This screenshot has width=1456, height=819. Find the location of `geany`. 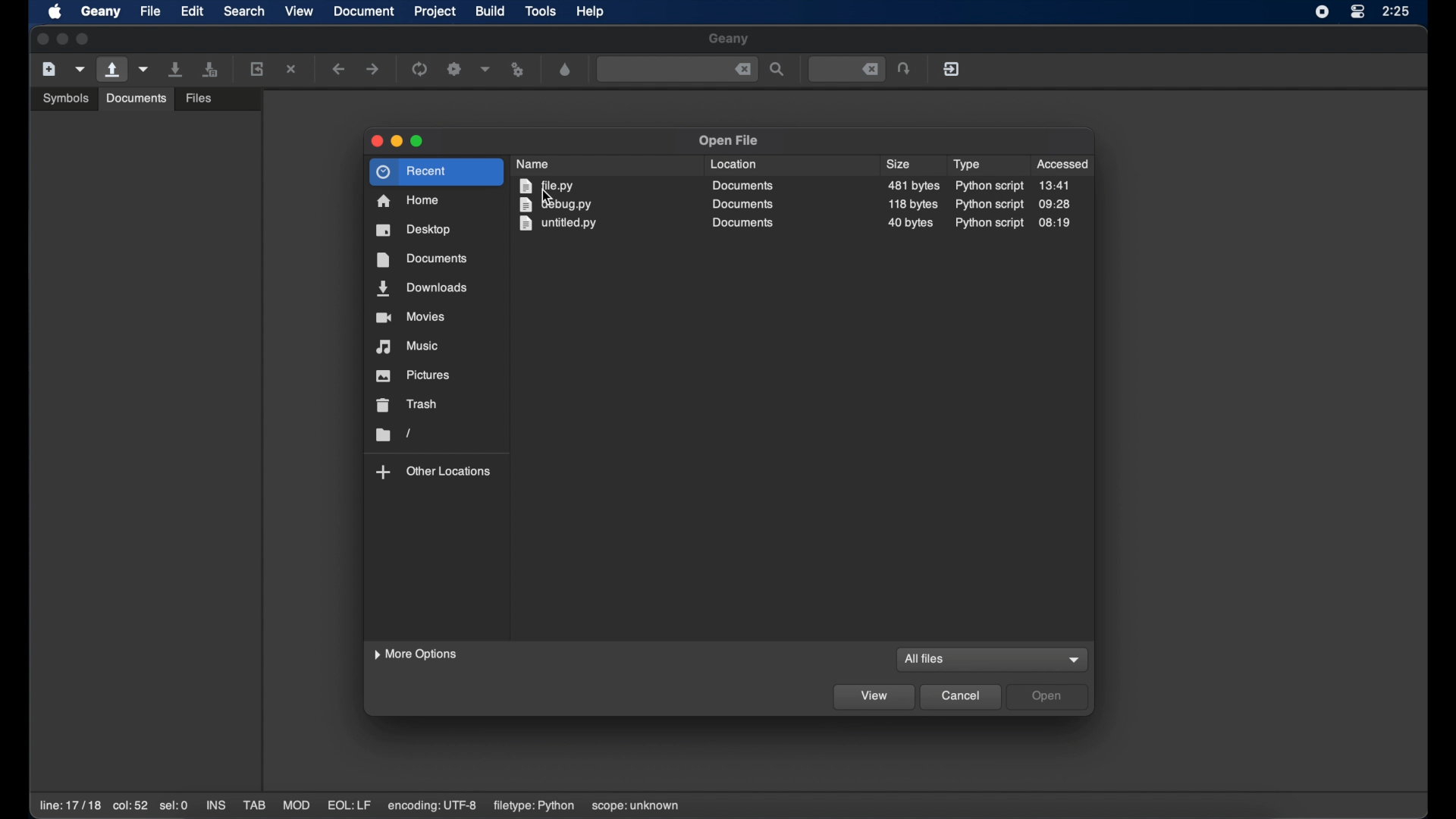

geany is located at coordinates (101, 12).